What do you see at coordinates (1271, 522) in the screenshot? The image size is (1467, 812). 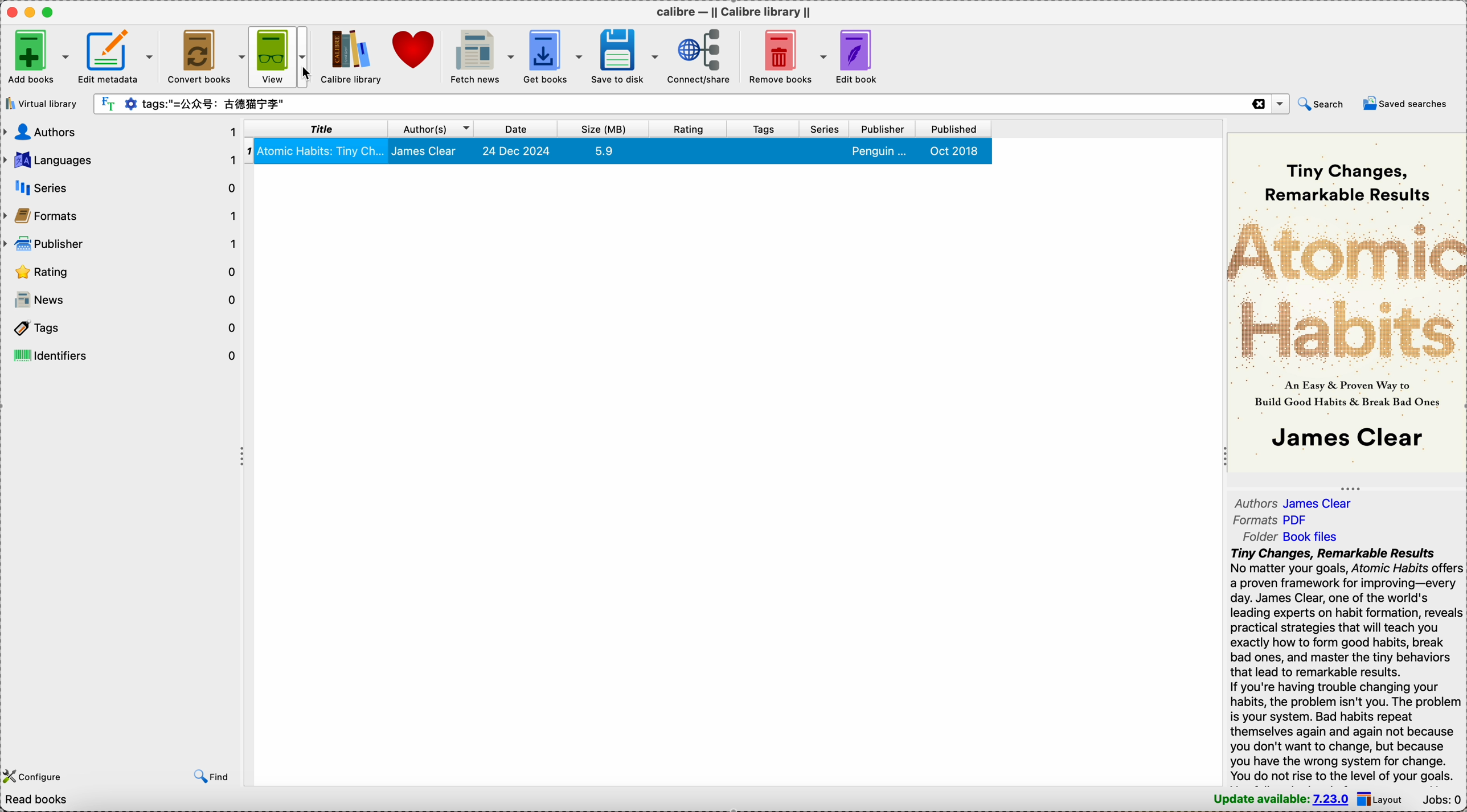 I see `formats` at bounding box center [1271, 522].